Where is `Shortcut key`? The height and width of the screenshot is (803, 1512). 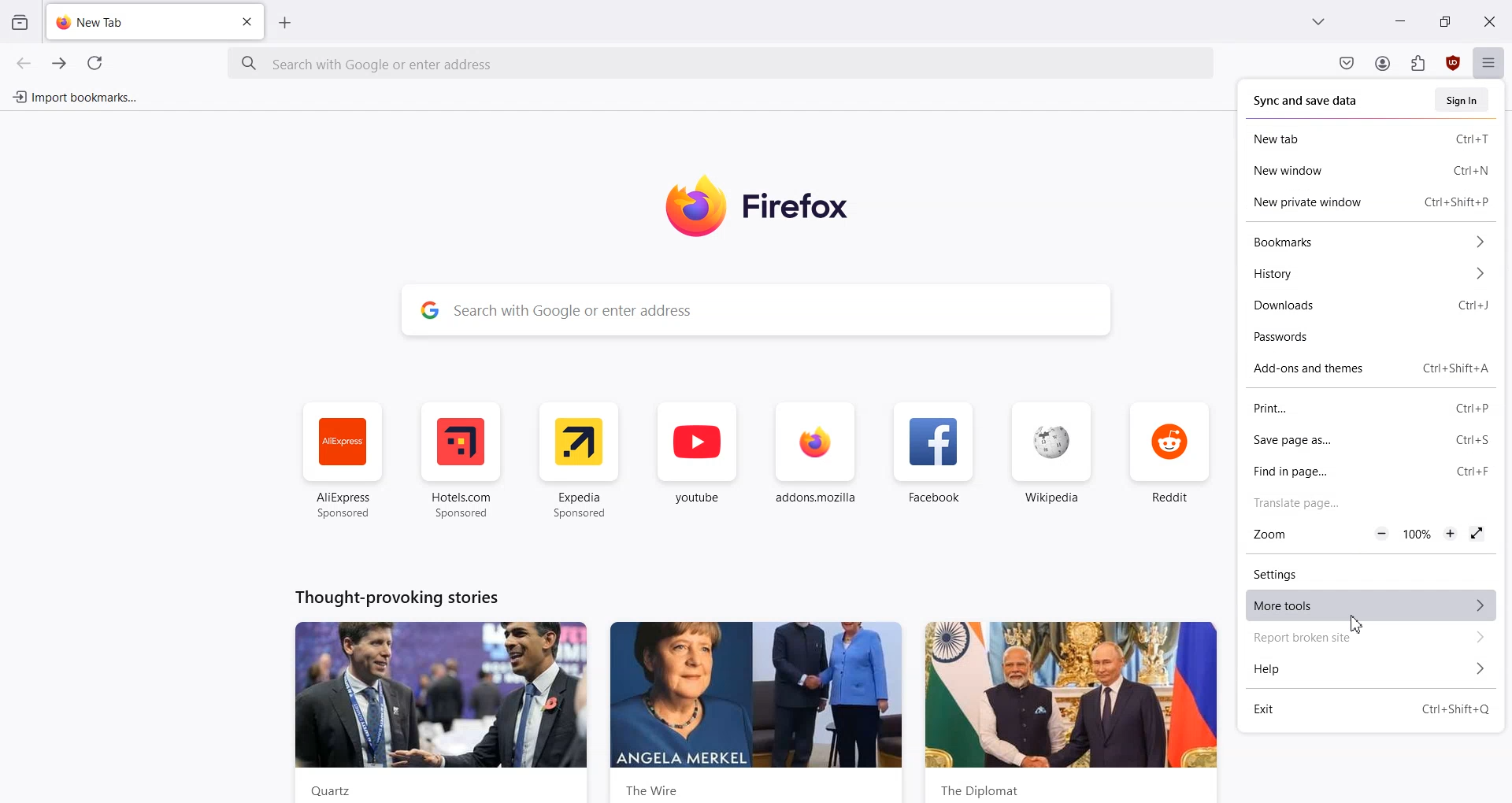
Shortcut key is located at coordinates (1455, 709).